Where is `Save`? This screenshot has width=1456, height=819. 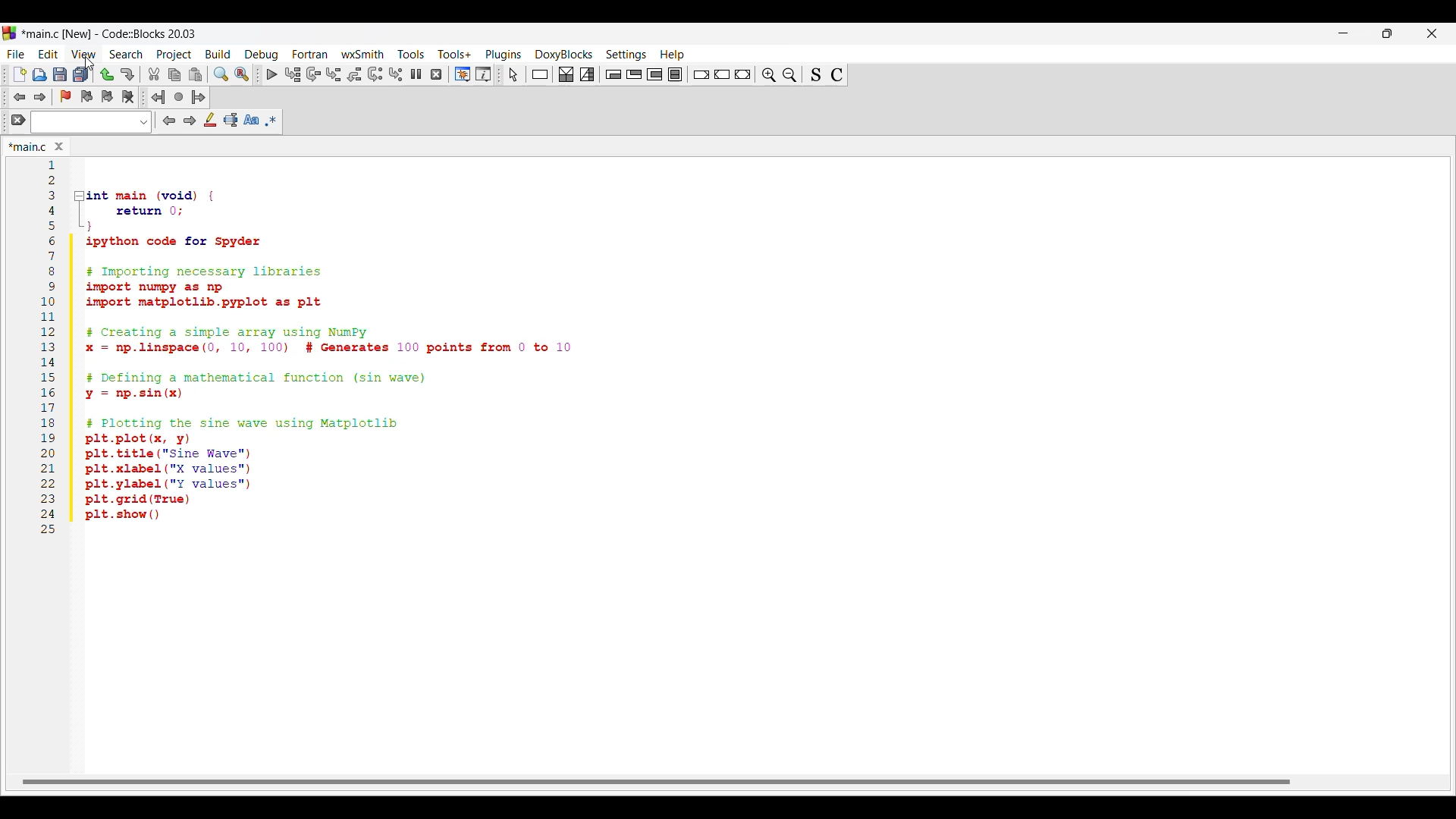 Save is located at coordinates (60, 74).